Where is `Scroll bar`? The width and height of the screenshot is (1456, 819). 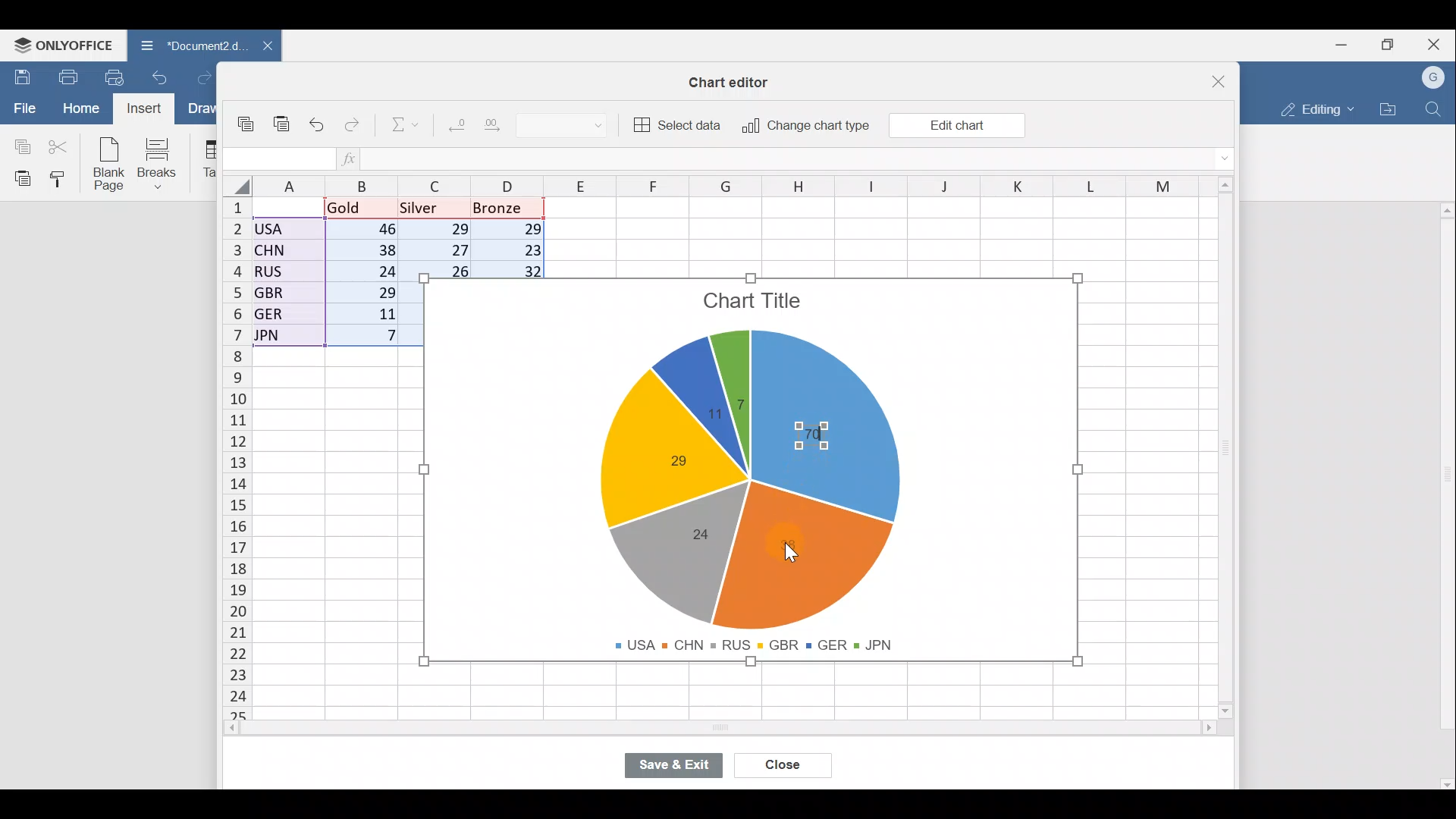 Scroll bar is located at coordinates (1442, 490).